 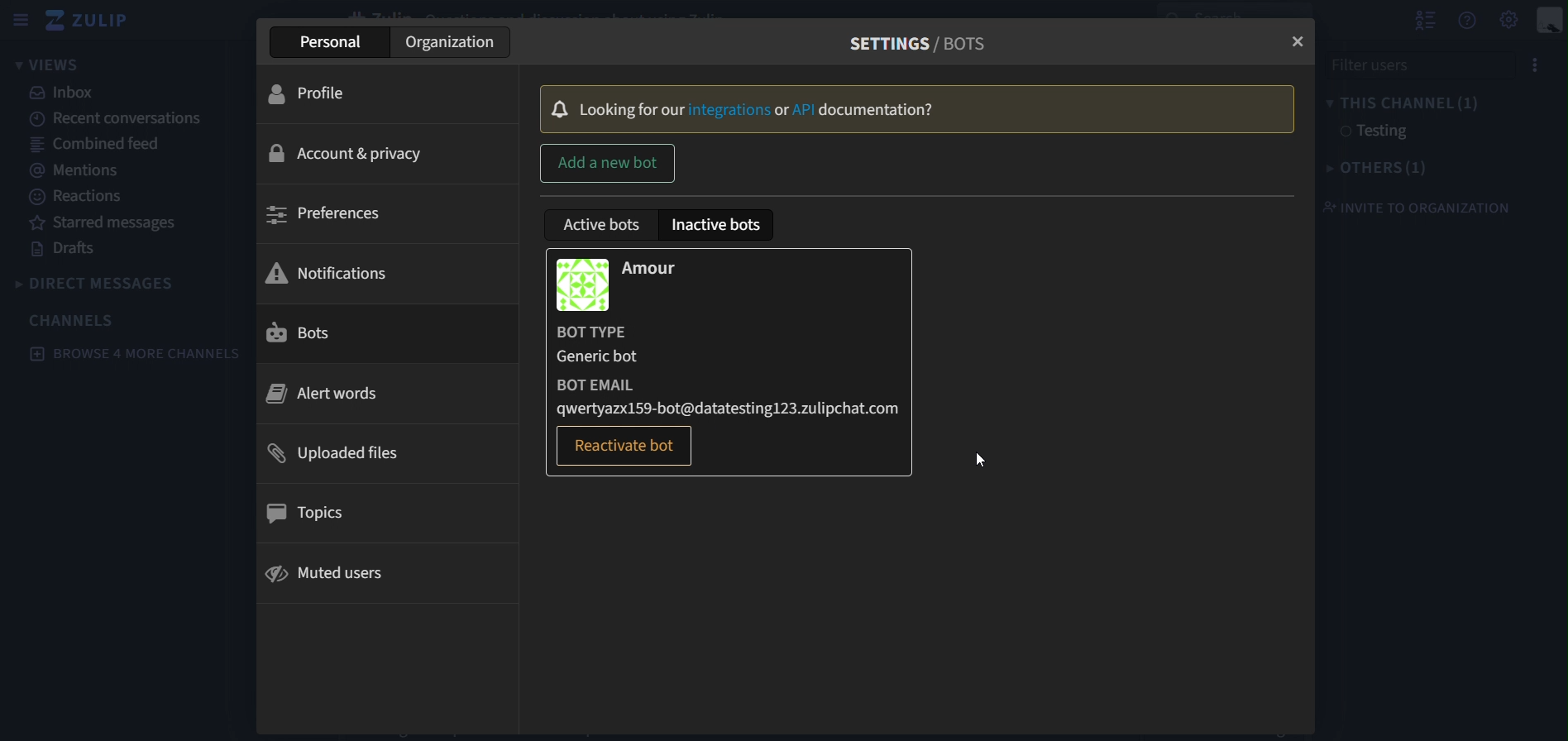 I want to click on topics, so click(x=318, y=515).